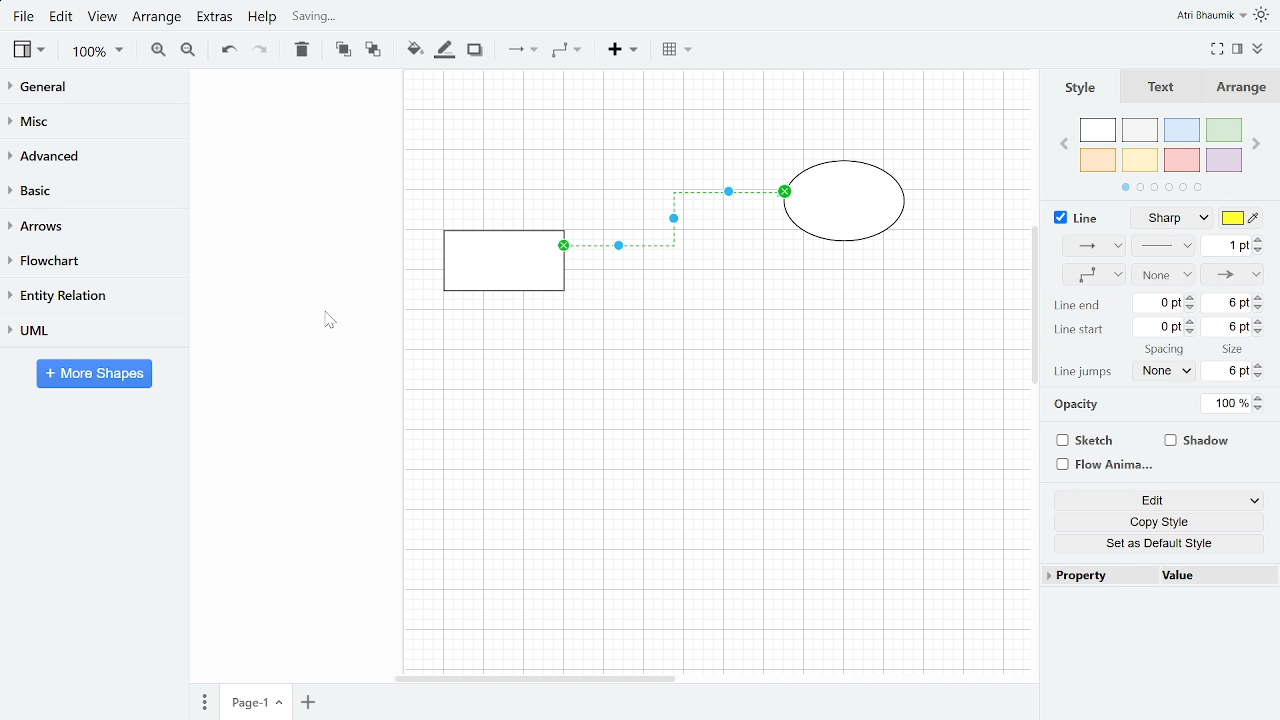  I want to click on Misc, so click(93, 122).